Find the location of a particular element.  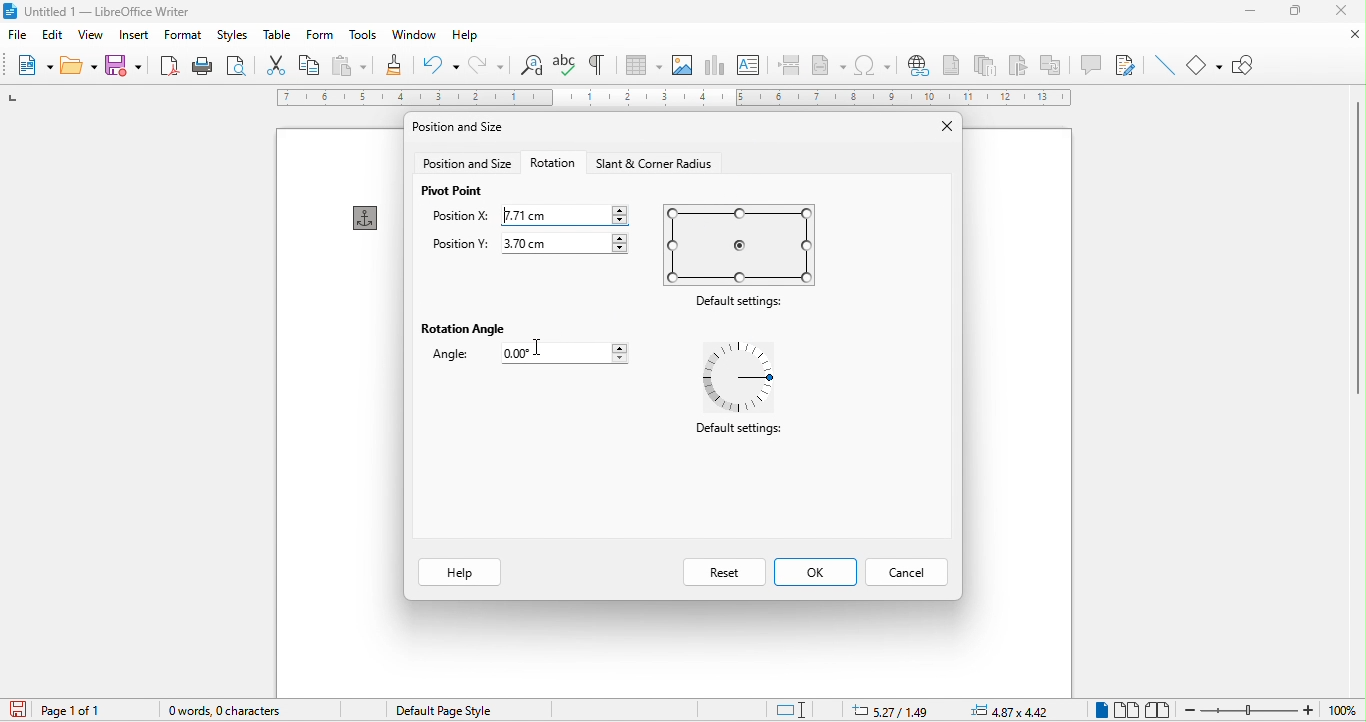

rotation is located at coordinates (551, 163).